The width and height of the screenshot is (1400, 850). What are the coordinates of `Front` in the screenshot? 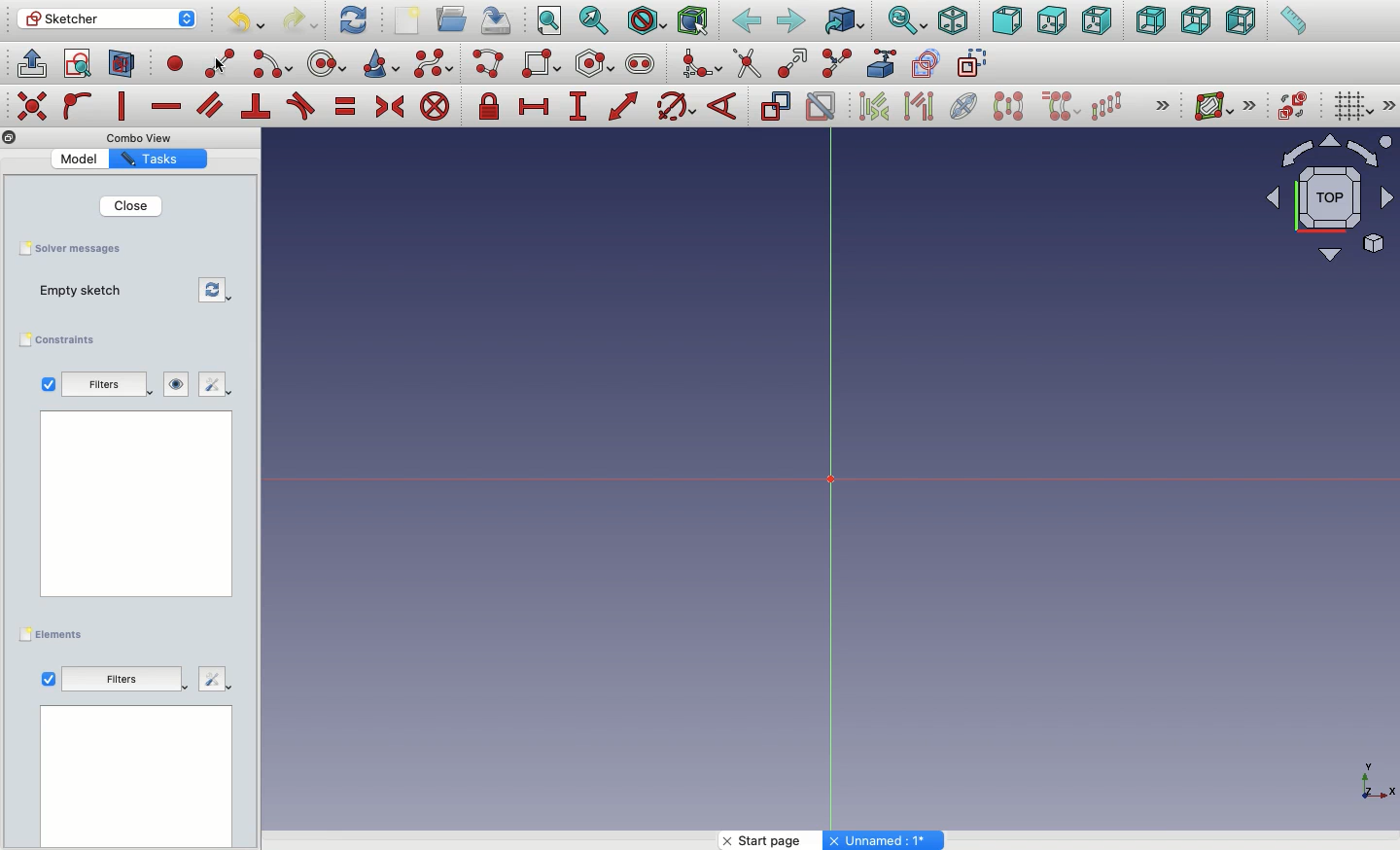 It's located at (1006, 20).